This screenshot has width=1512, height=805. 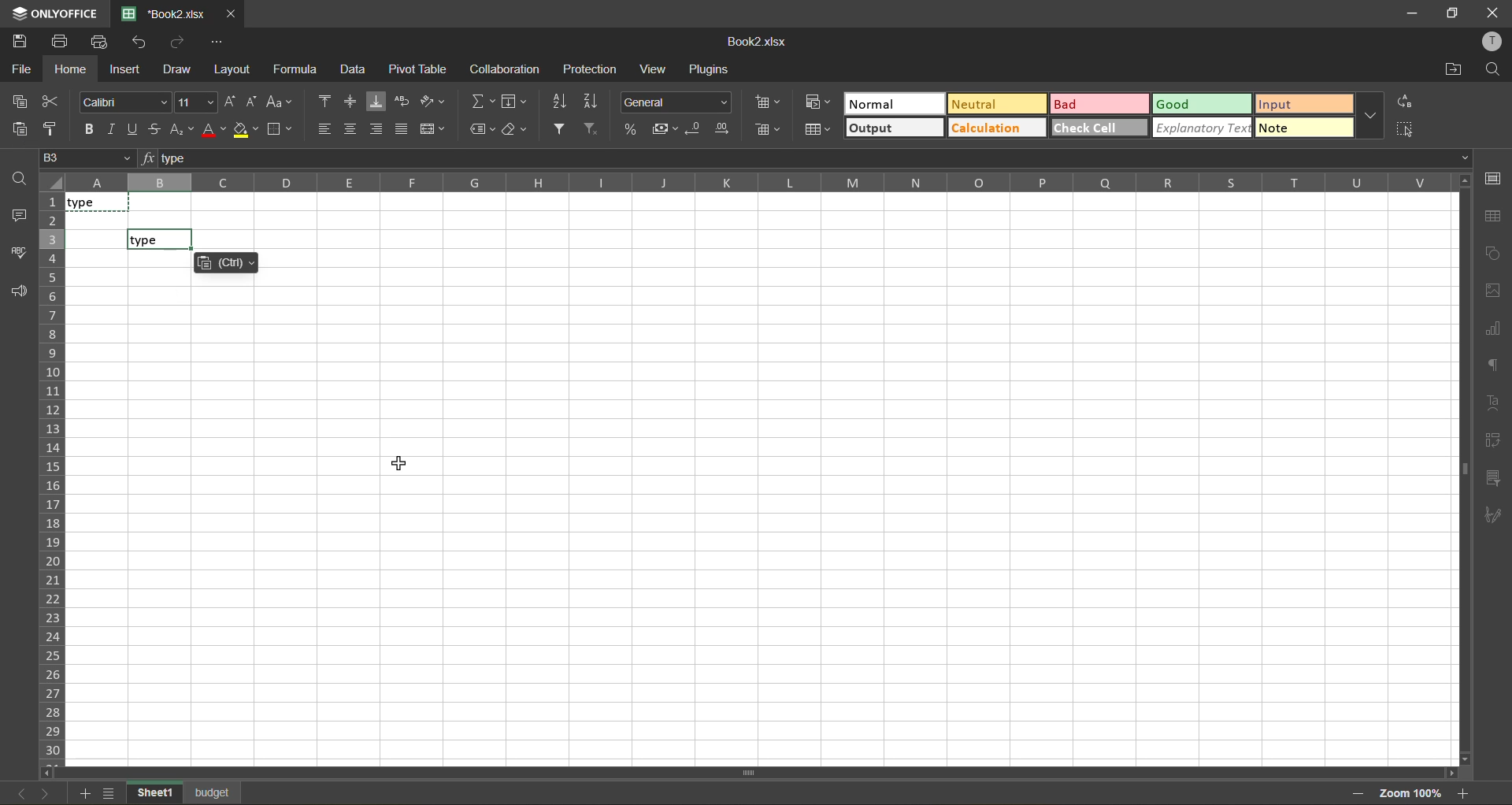 What do you see at coordinates (723, 128) in the screenshot?
I see `increase decimal` at bounding box center [723, 128].